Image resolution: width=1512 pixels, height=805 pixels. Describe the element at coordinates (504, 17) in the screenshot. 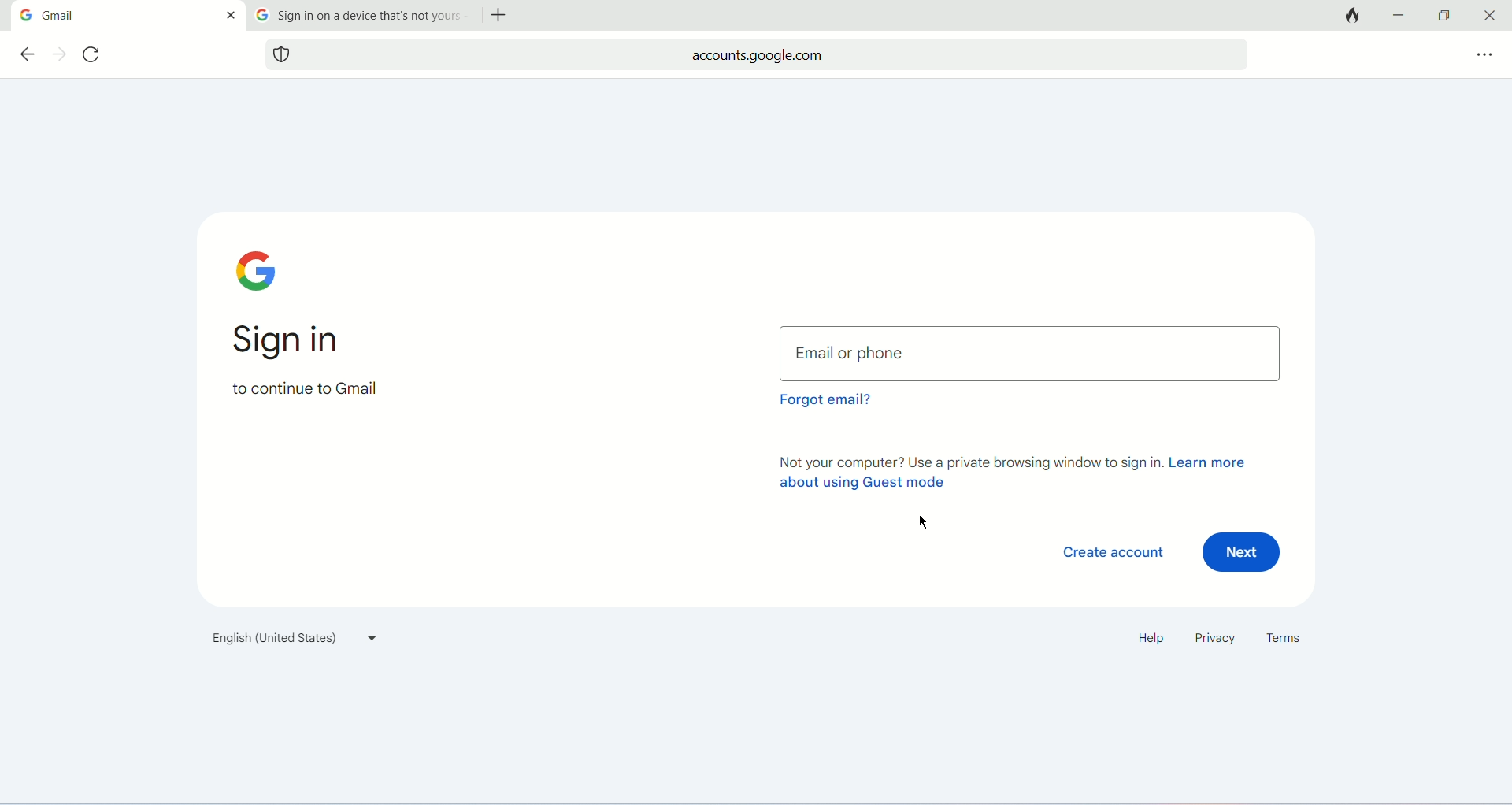

I see `add tab` at that location.